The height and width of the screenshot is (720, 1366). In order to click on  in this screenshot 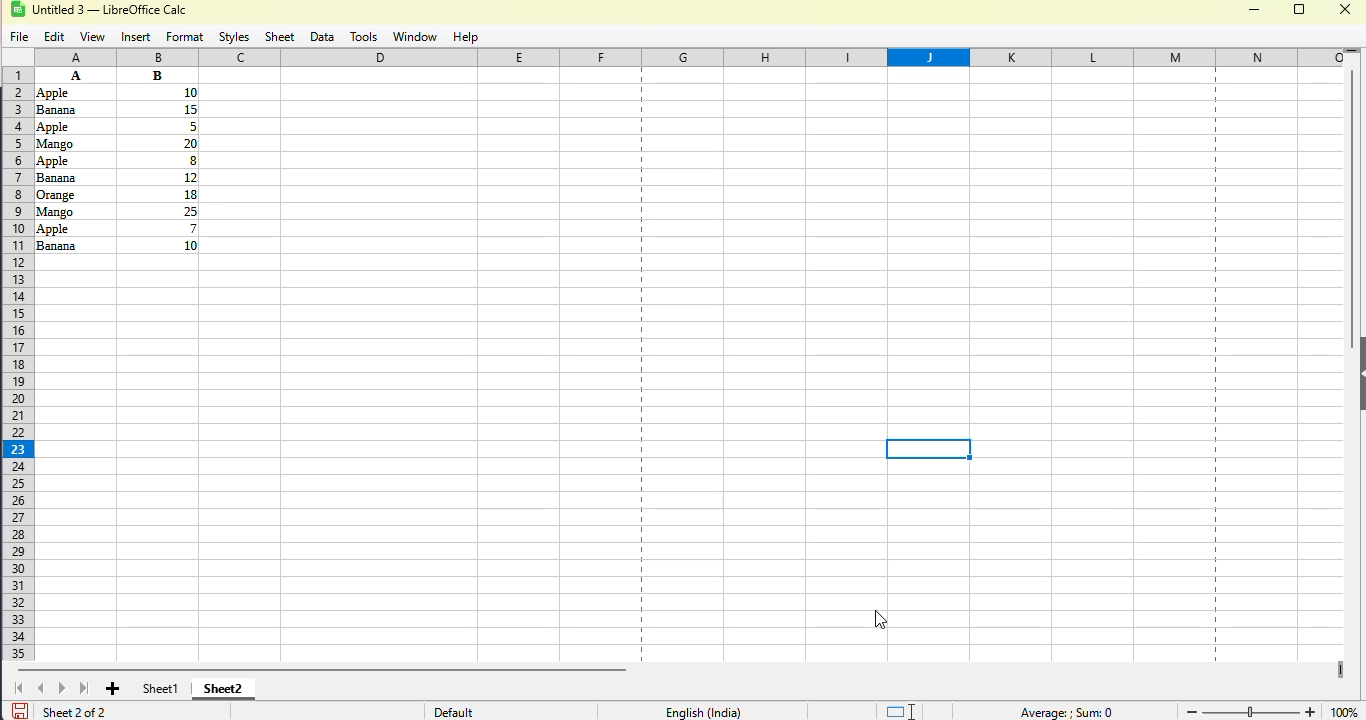, I will do `click(158, 75)`.